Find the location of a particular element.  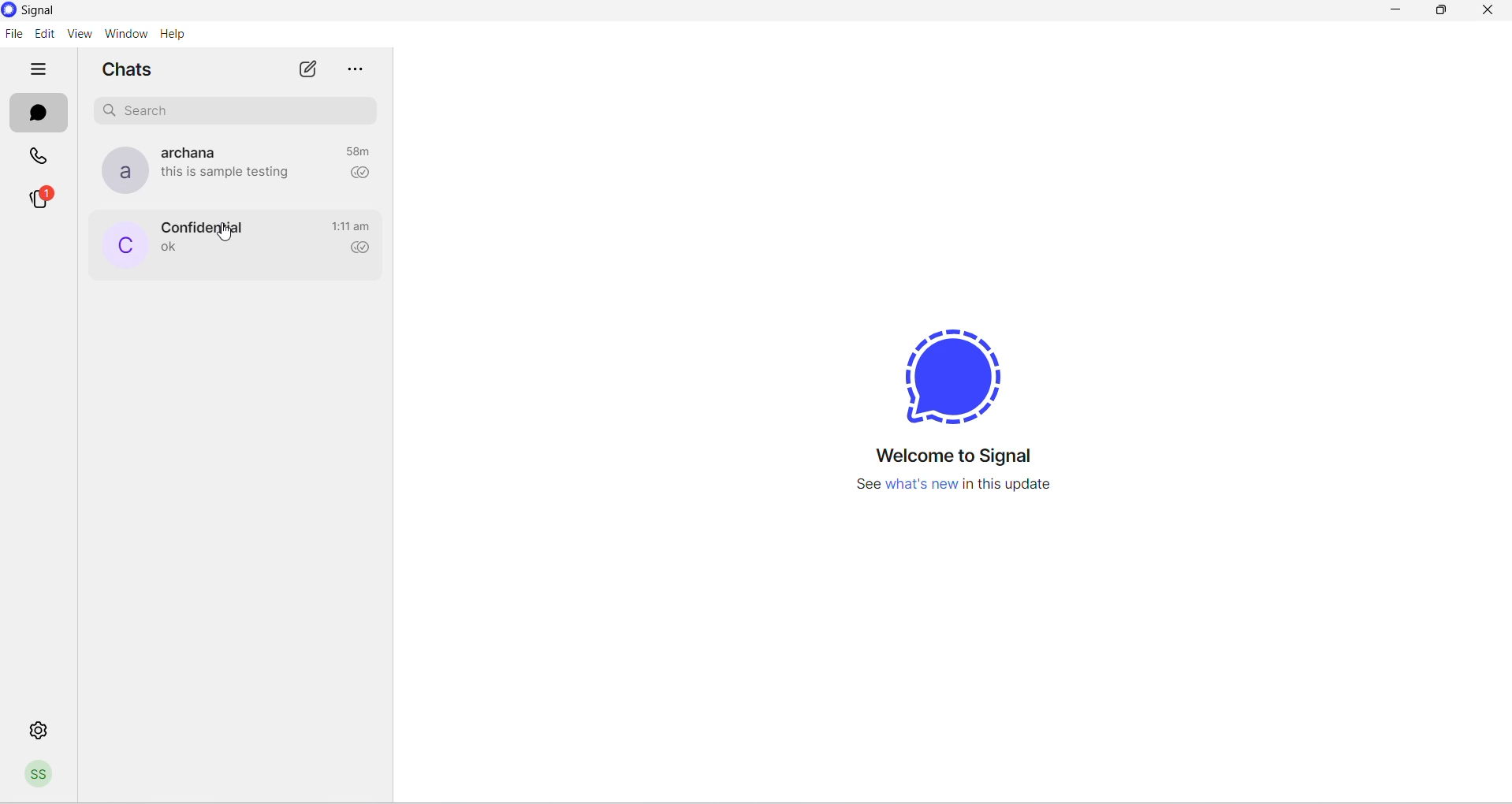

new chat is located at coordinates (306, 71).